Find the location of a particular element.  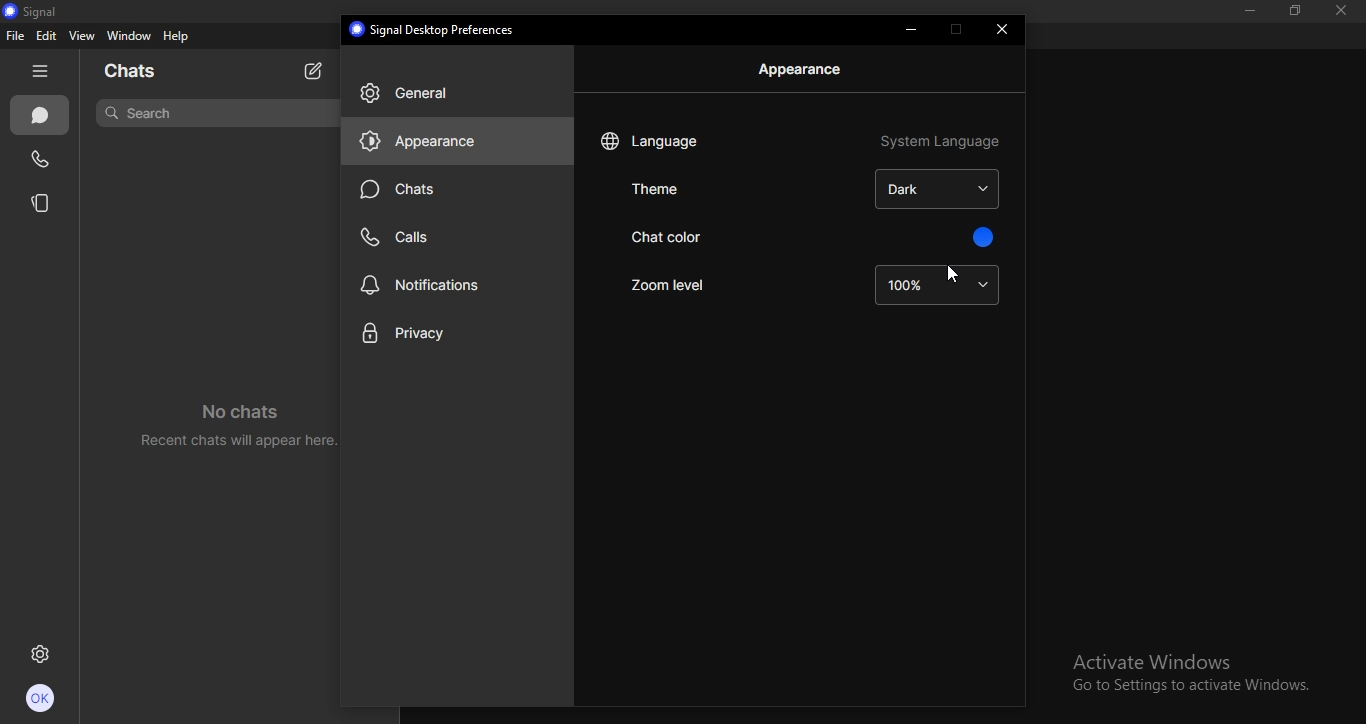

calls is located at coordinates (40, 161).